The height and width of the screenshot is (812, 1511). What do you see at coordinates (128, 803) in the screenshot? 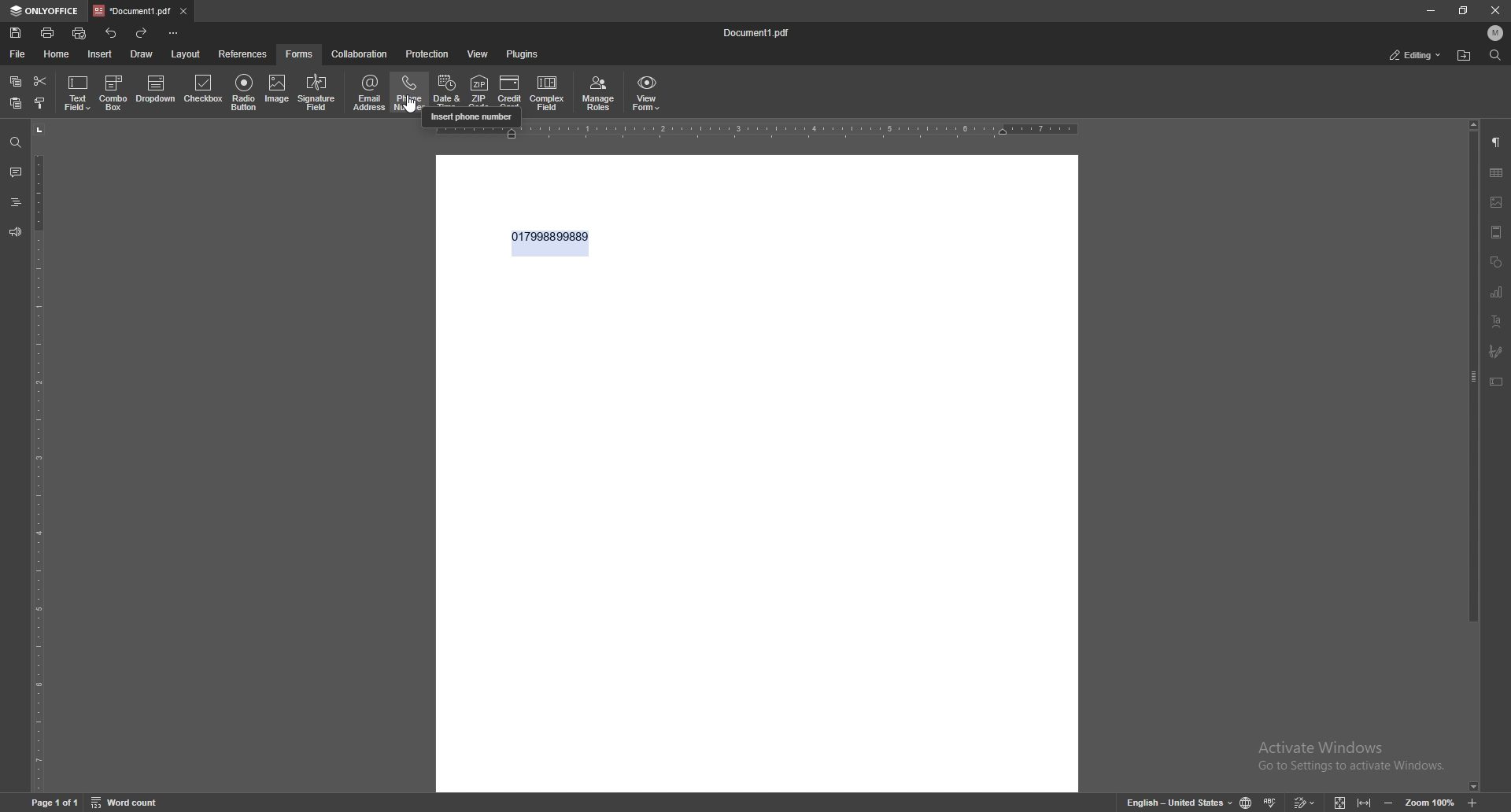
I see `word count` at bounding box center [128, 803].